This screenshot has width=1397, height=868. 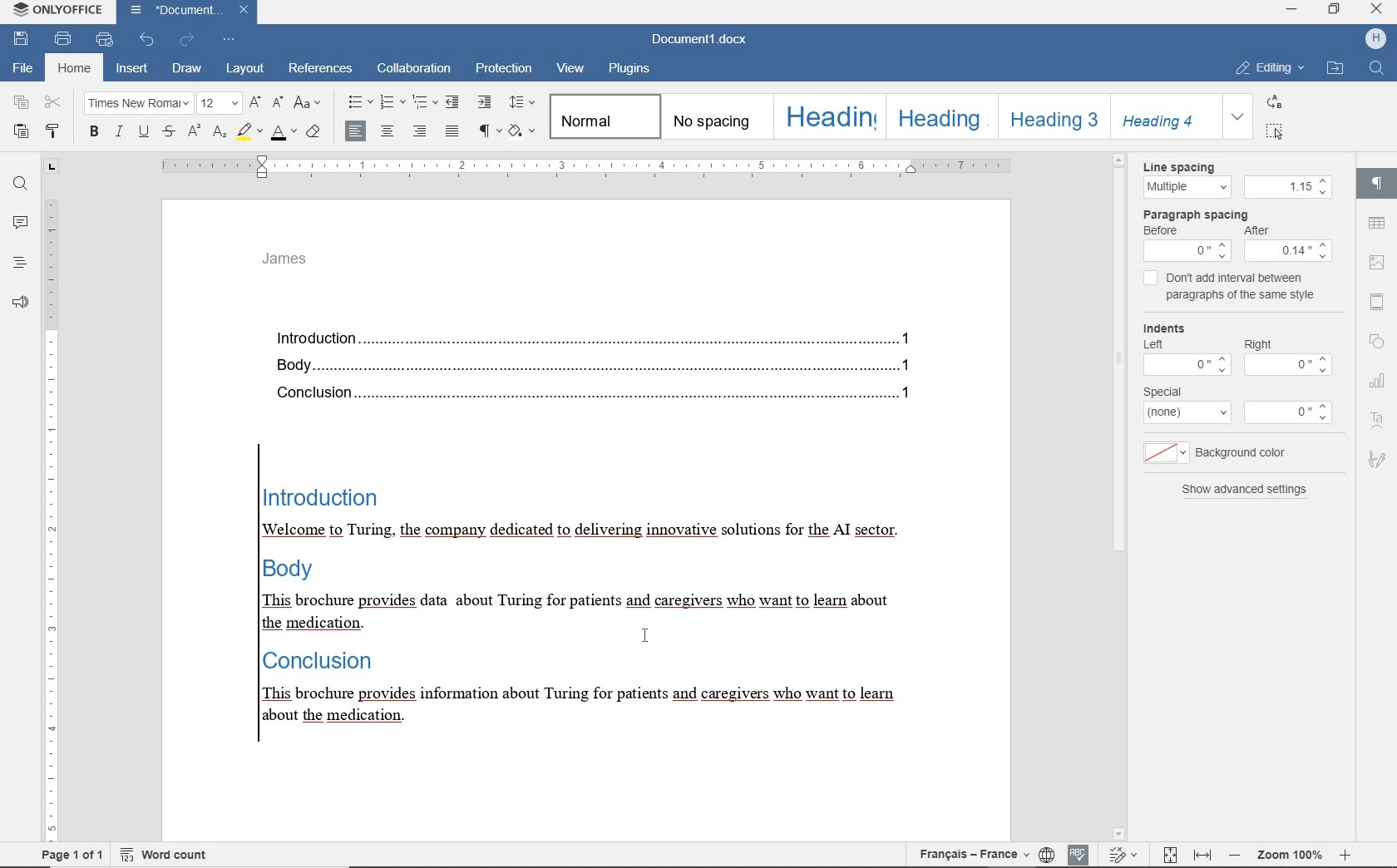 What do you see at coordinates (230, 40) in the screenshot?
I see `customize quick access toolbar` at bounding box center [230, 40].